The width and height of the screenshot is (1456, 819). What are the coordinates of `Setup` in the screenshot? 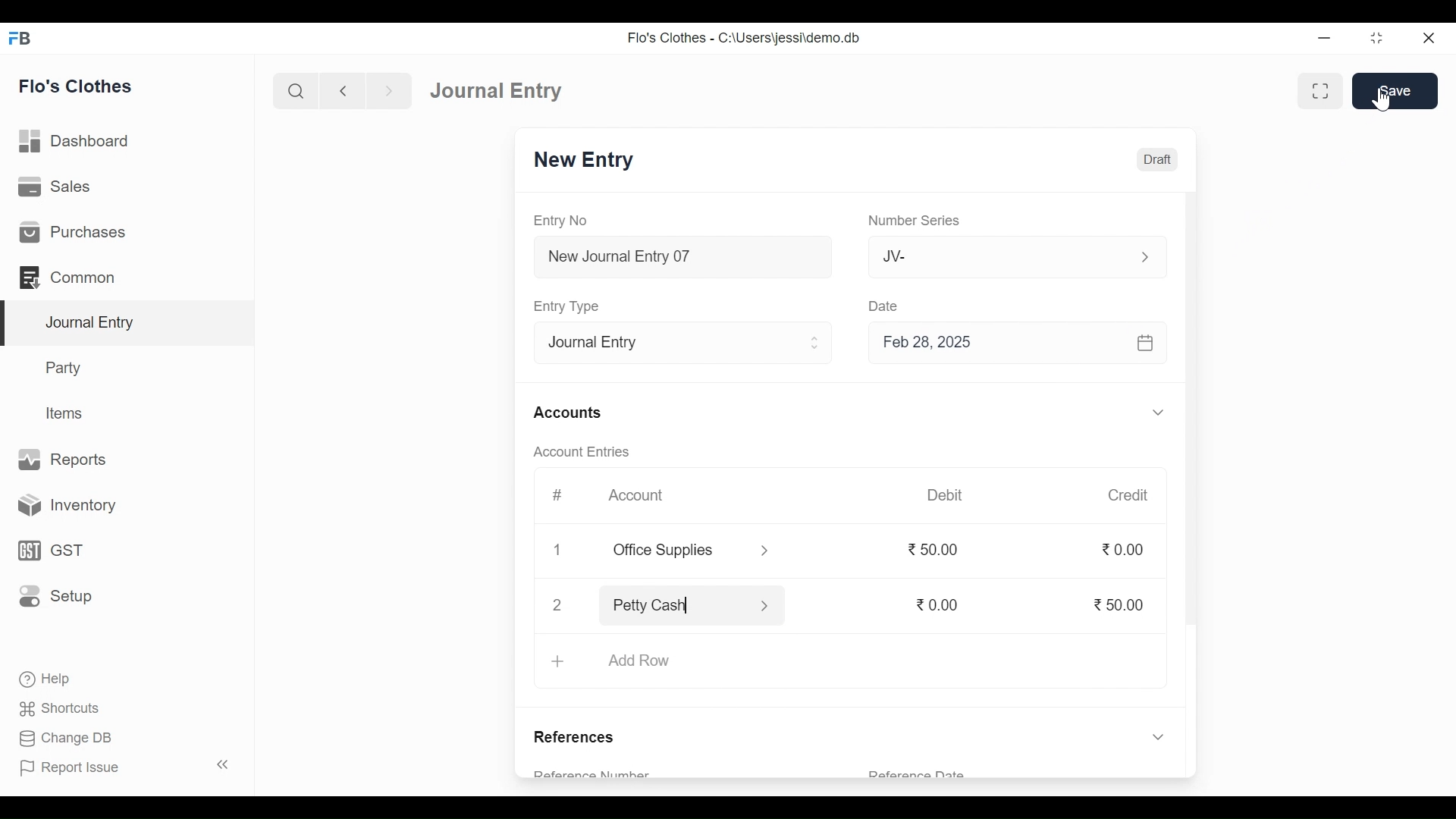 It's located at (55, 595).